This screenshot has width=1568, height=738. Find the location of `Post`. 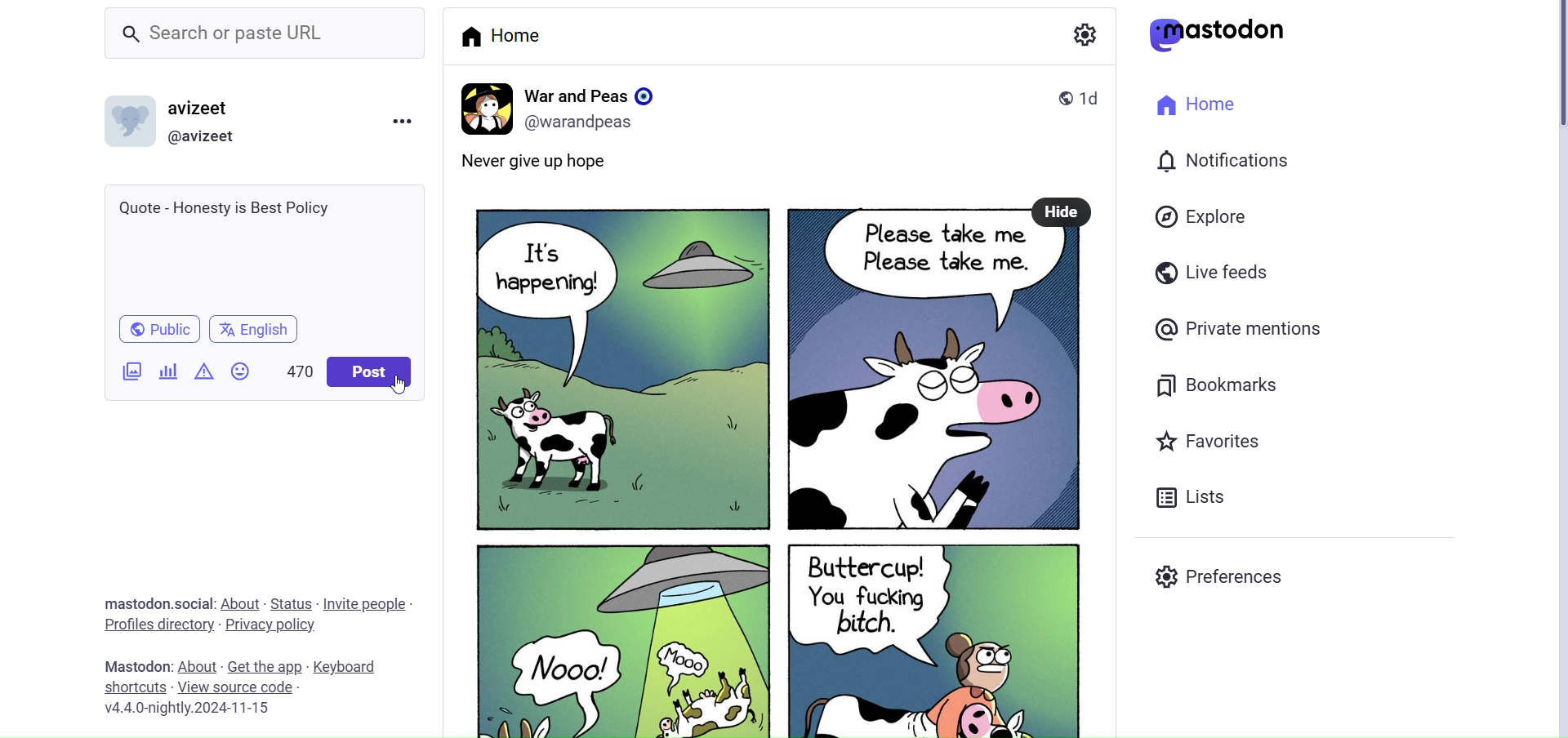

Post is located at coordinates (773, 482).